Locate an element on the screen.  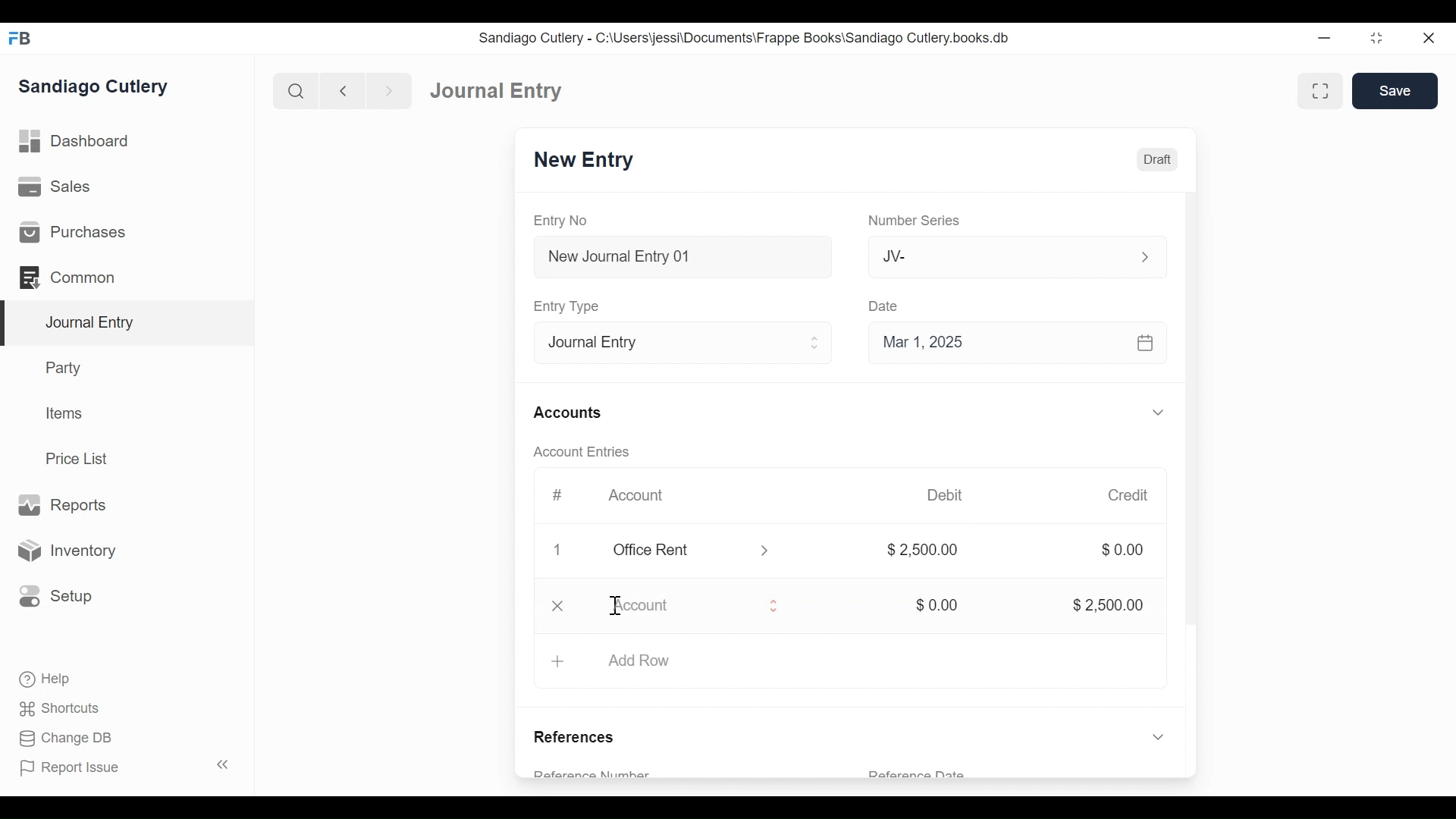
Date is located at coordinates (884, 306).